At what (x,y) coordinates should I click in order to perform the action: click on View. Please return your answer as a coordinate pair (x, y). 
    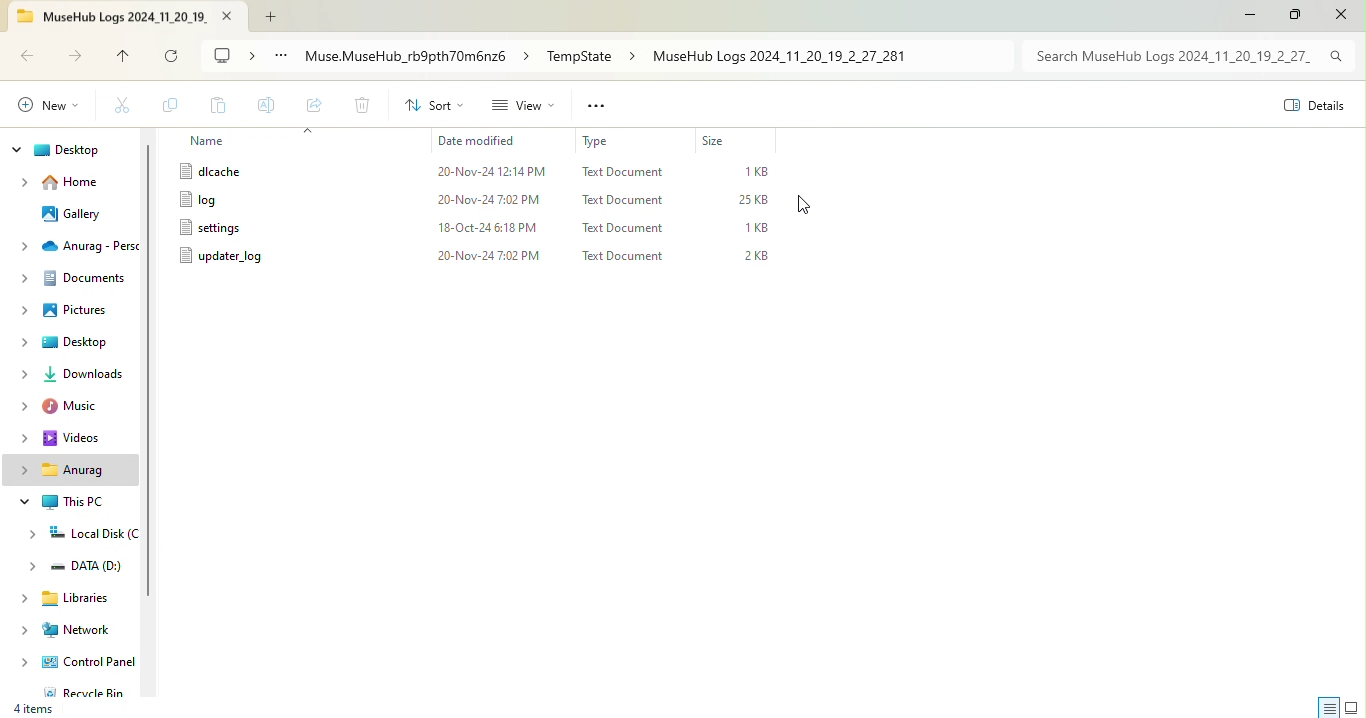
    Looking at the image, I should click on (520, 108).